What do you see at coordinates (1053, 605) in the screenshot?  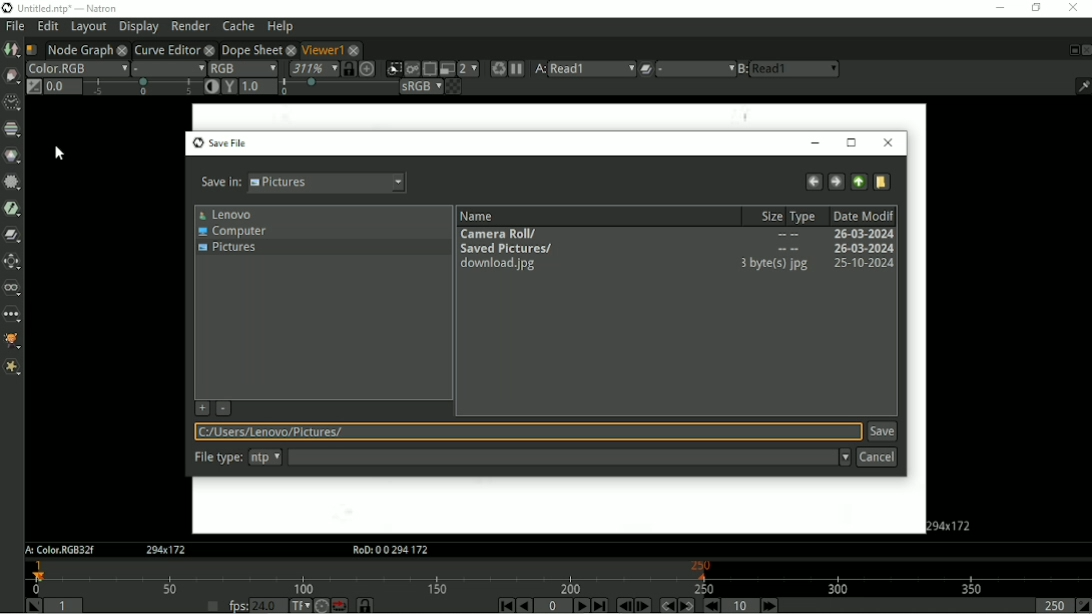 I see `Playback out point` at bounding box center [1053, 605].